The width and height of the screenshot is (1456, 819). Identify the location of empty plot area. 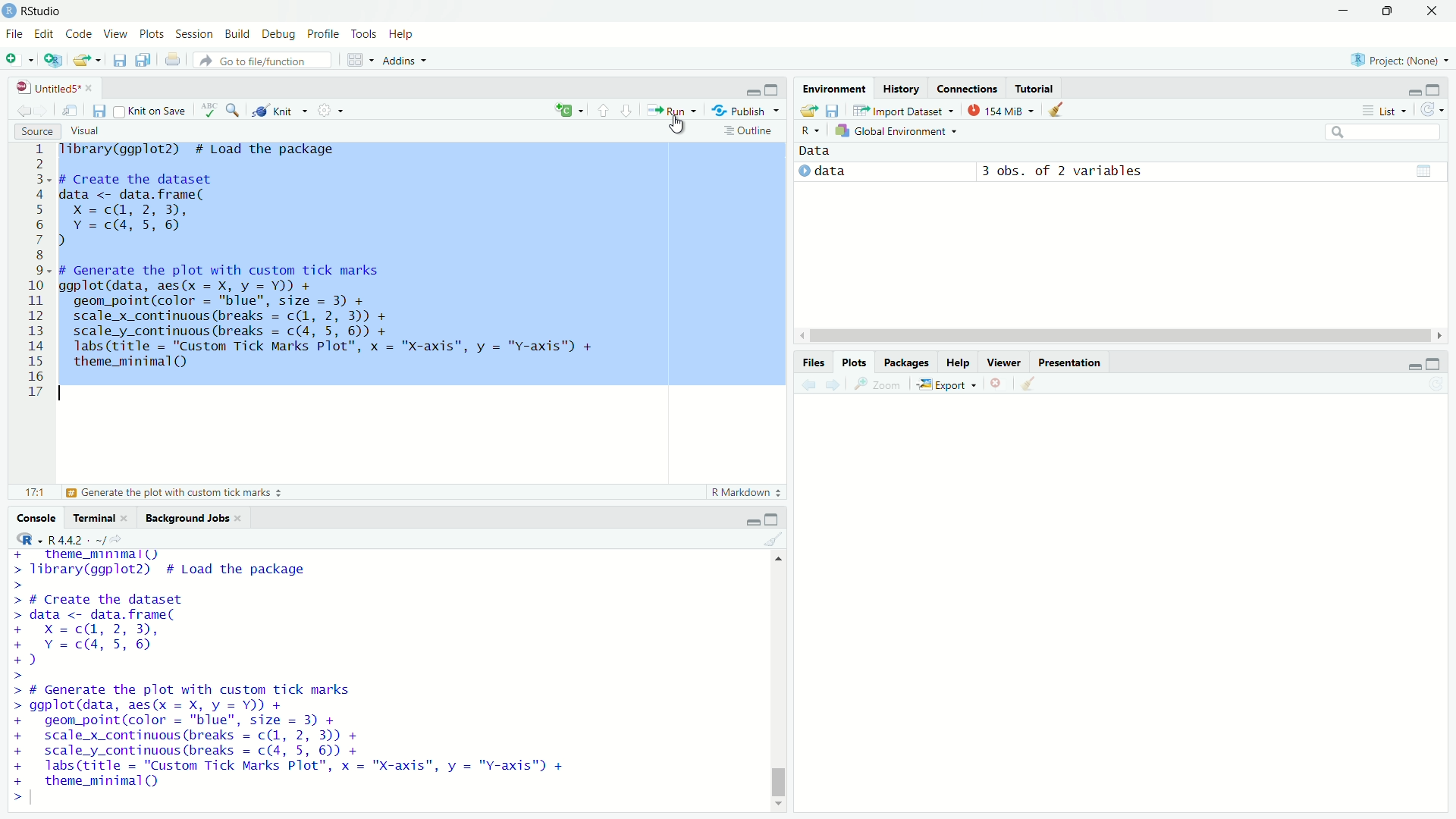
(1131, 617).